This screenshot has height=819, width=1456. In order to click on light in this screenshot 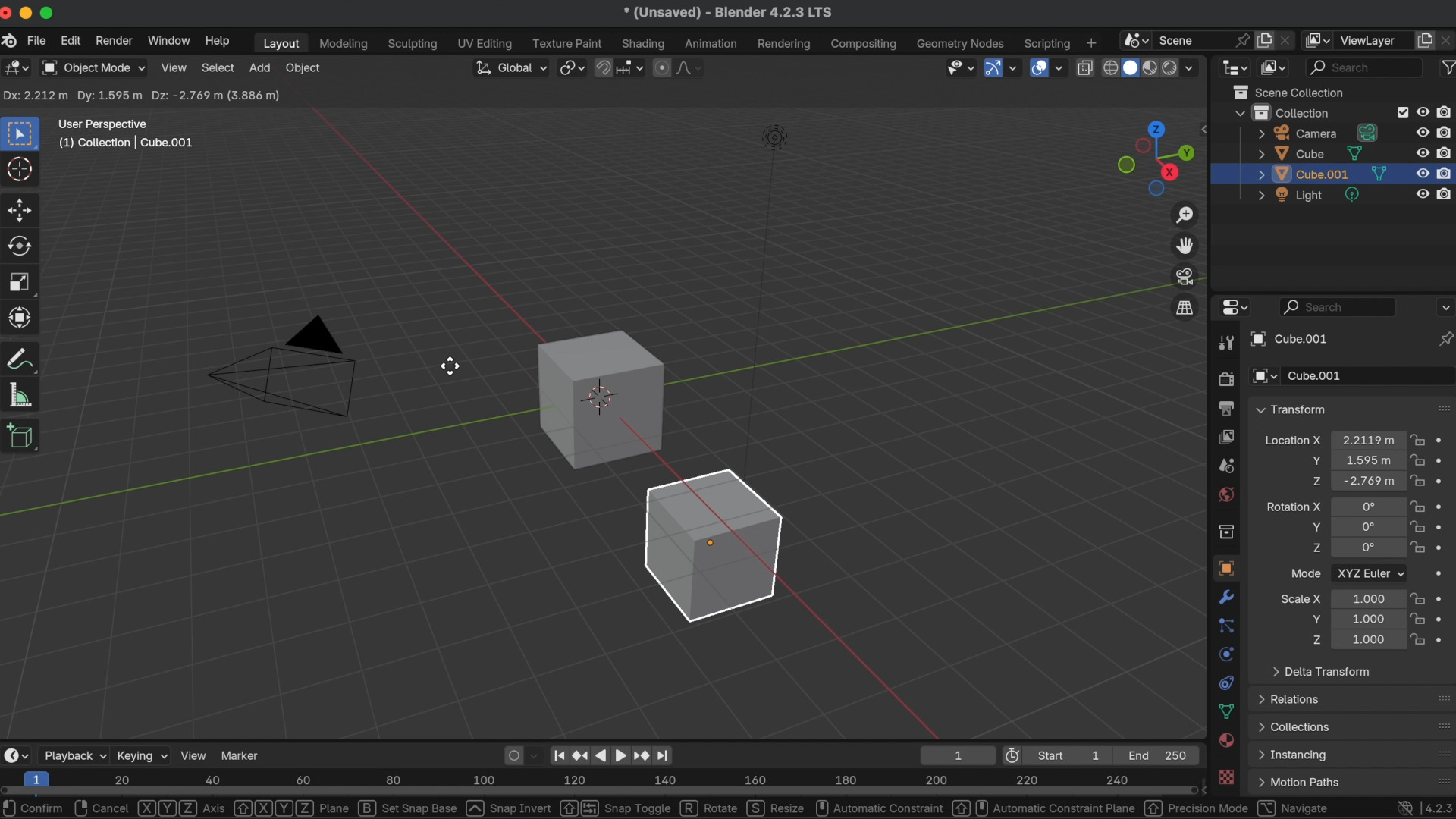, I will do `click(1312, 196)`.